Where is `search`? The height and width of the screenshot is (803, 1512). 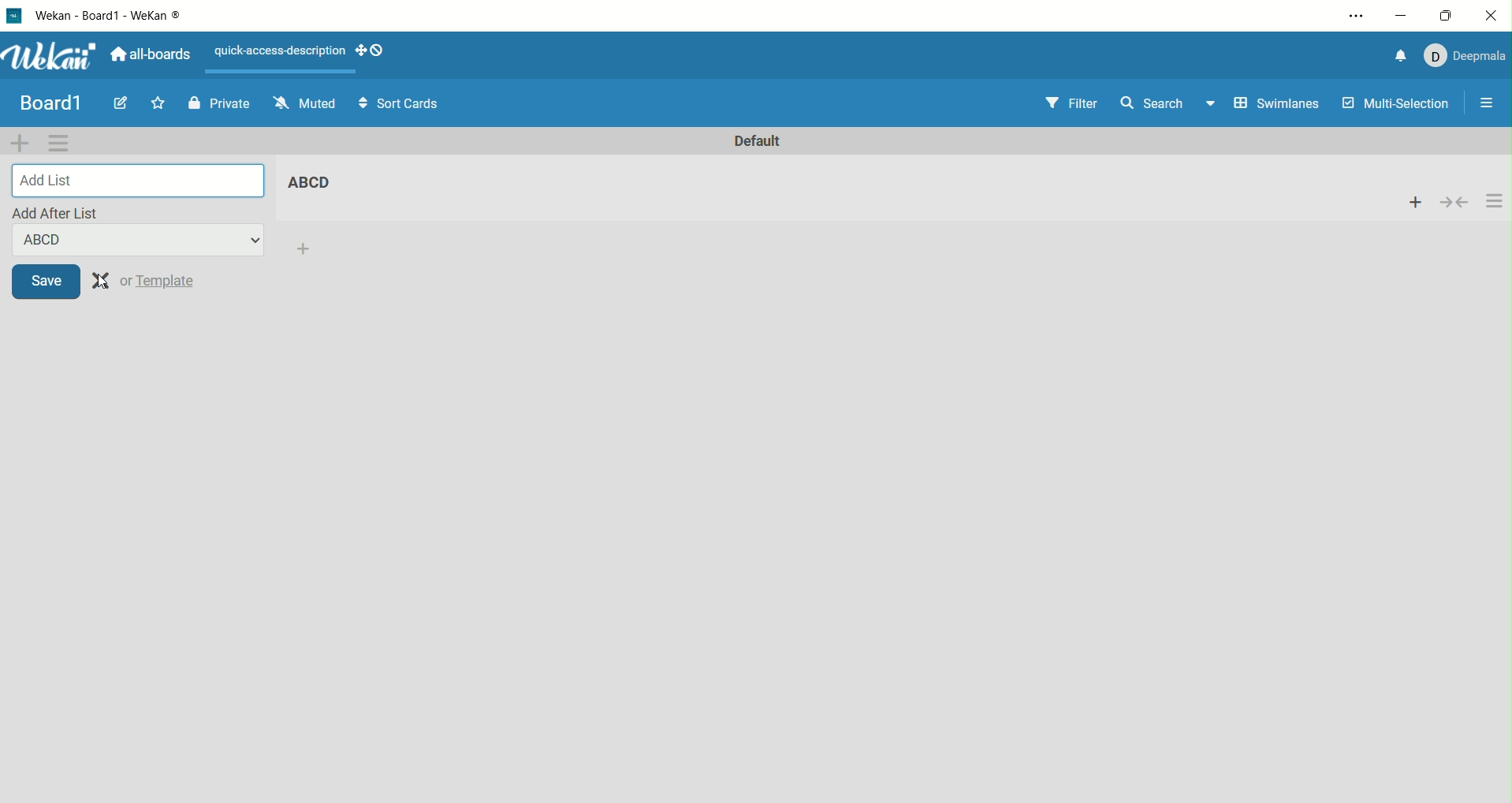
search is located at coordinates (1167, 105).